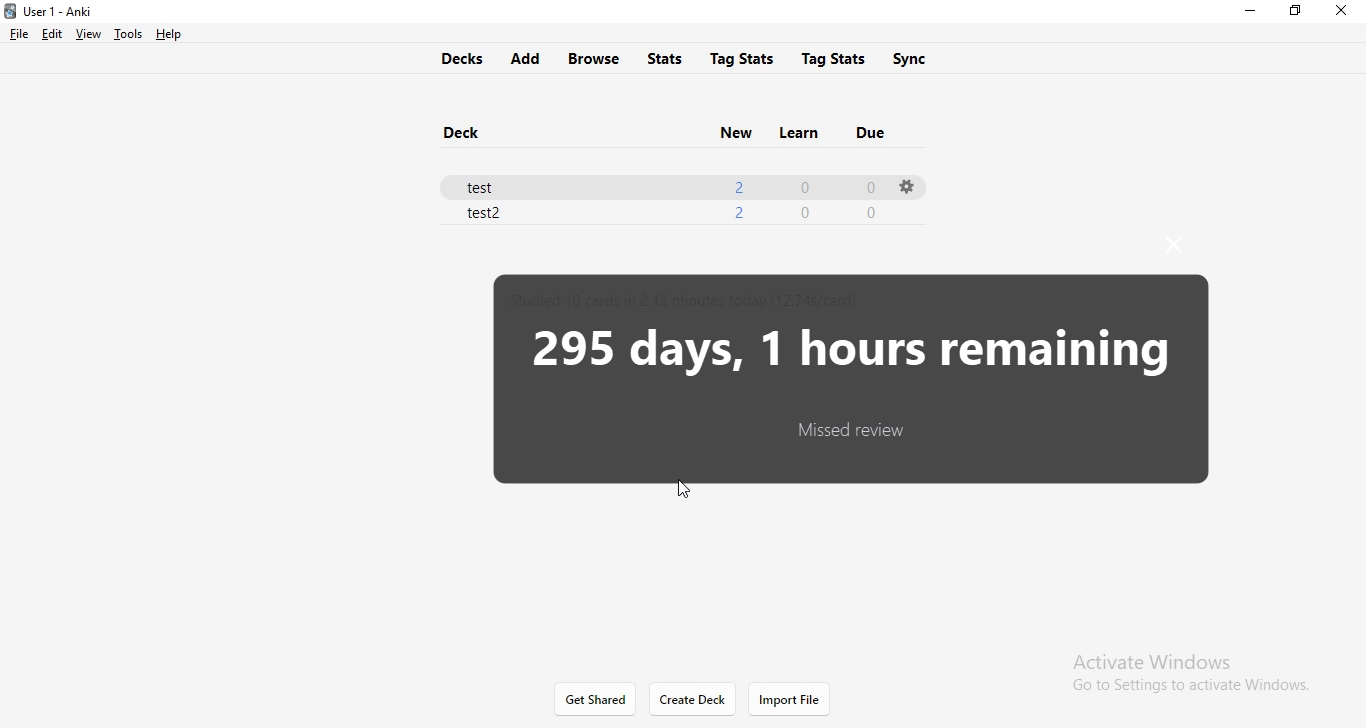 Image resolution: width=1366 pixels, height=728 pixels. What do you see at coordinates (166, 34) in the screenshot?
I see `help` at bounding box center [166, 34].